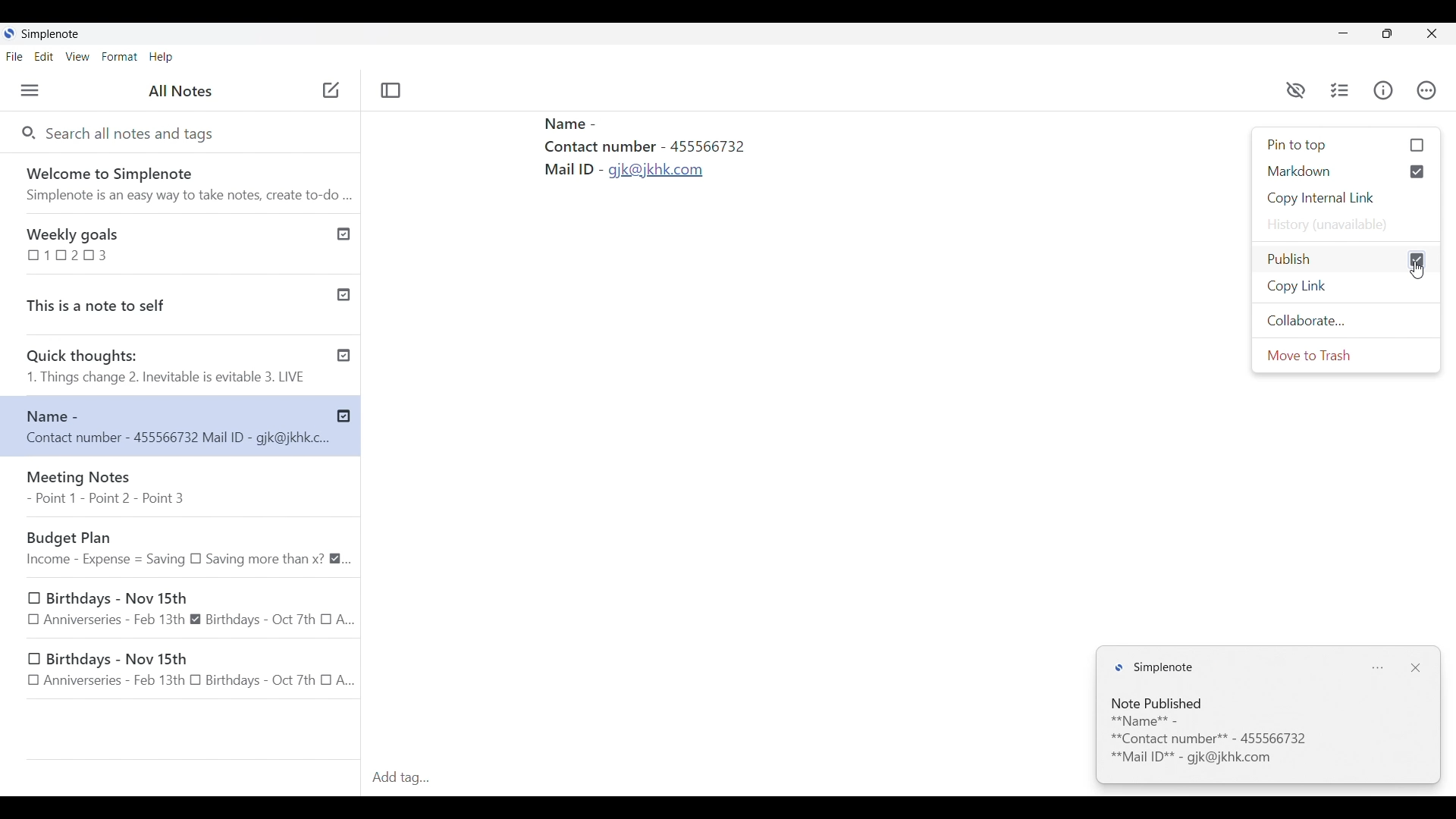  I want to click on Copy link, so click(1346, 287).